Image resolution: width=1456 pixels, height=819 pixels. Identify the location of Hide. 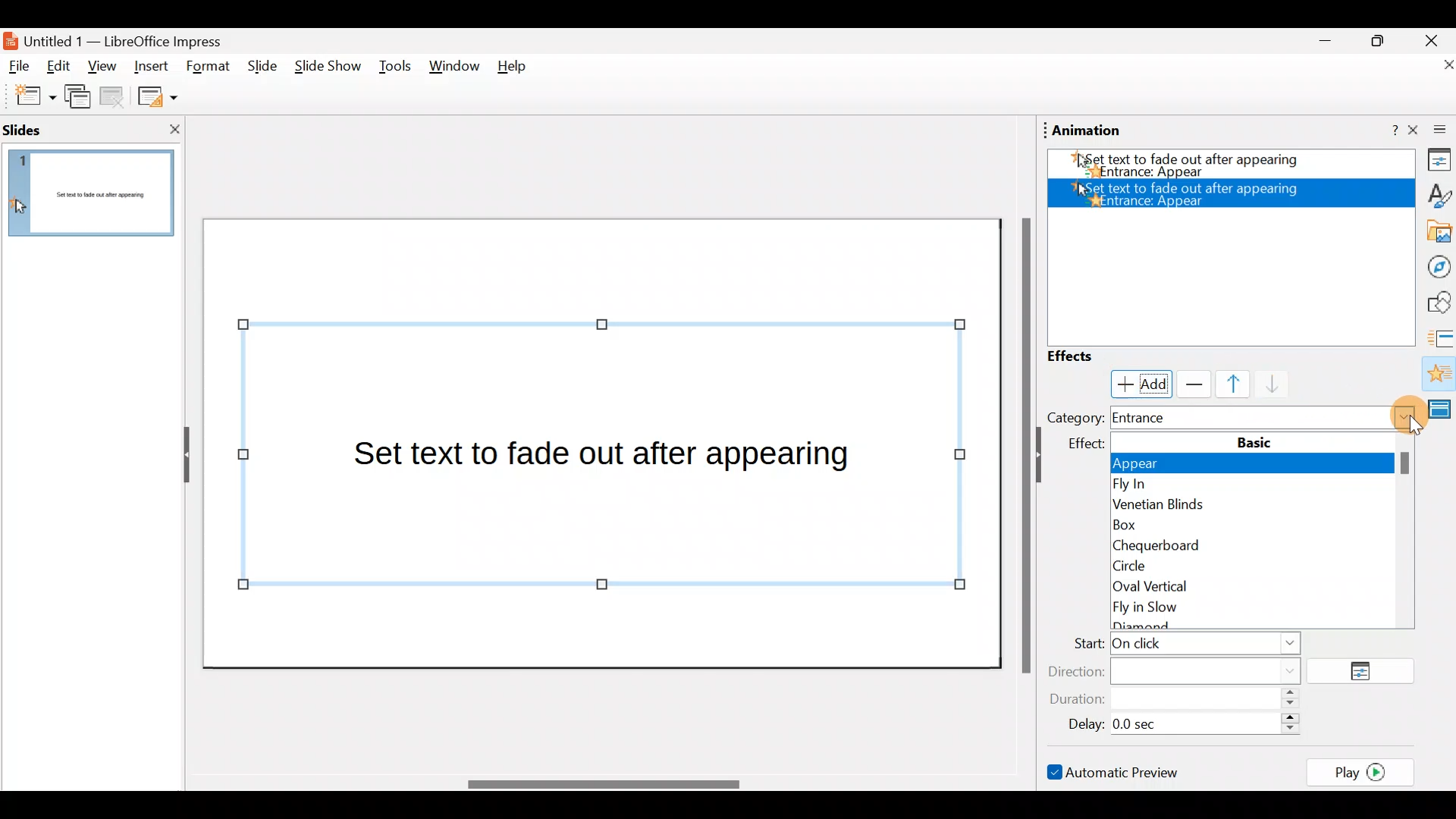
(180, 456).